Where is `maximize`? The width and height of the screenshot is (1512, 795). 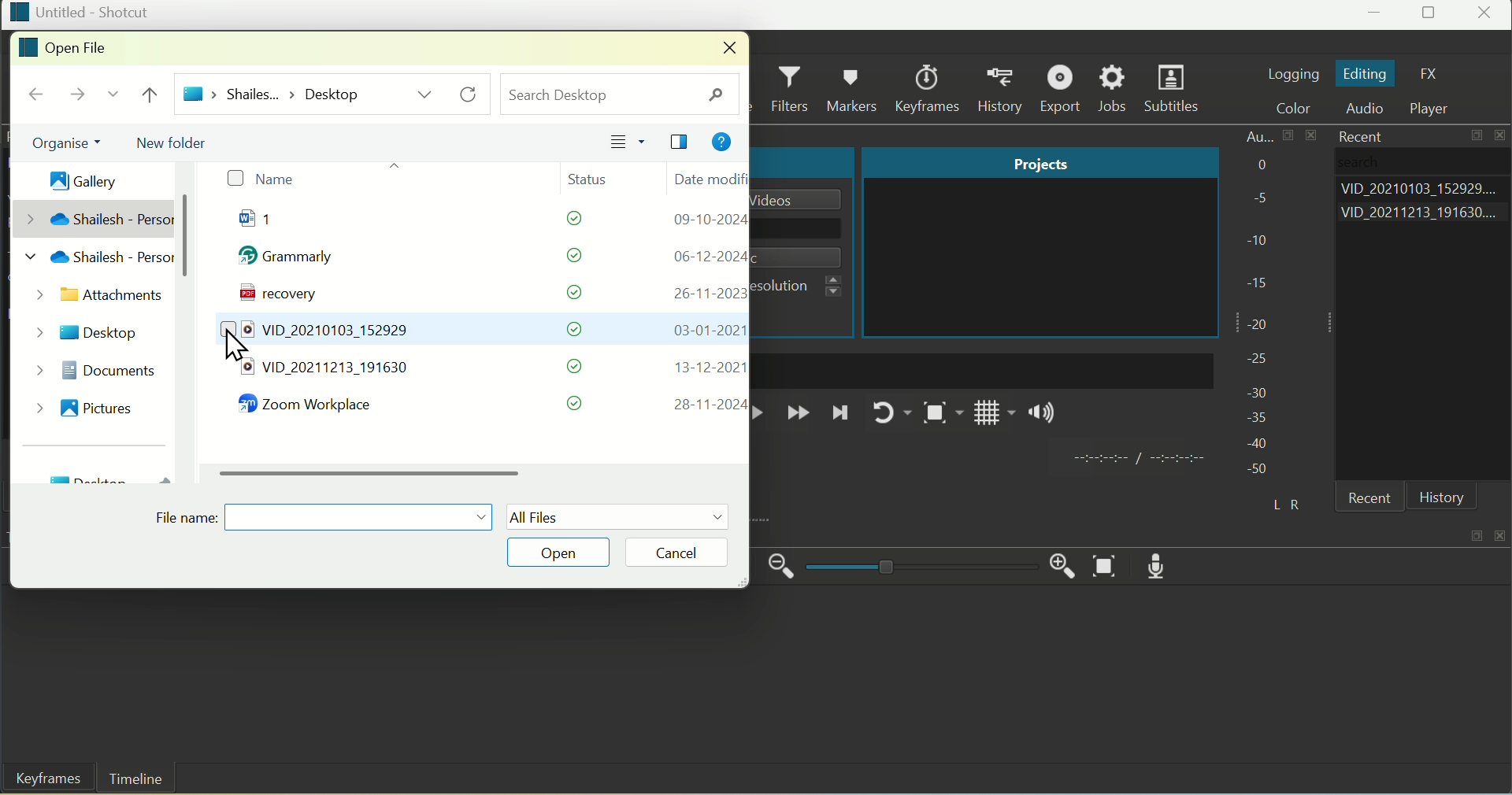 maximize is located at coordinates (1475, 534).